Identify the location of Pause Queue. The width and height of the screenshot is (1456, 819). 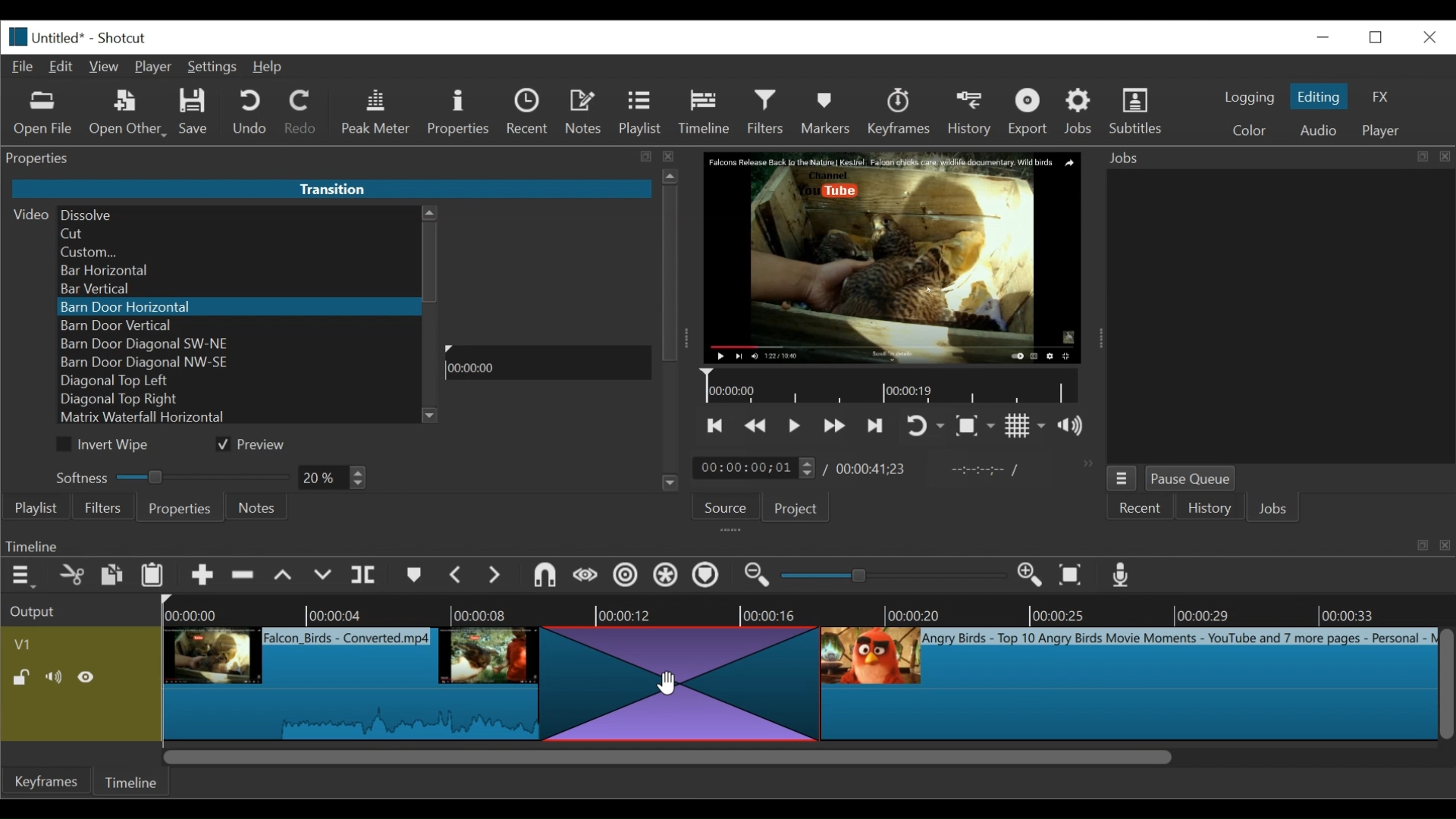
(1193, 479).